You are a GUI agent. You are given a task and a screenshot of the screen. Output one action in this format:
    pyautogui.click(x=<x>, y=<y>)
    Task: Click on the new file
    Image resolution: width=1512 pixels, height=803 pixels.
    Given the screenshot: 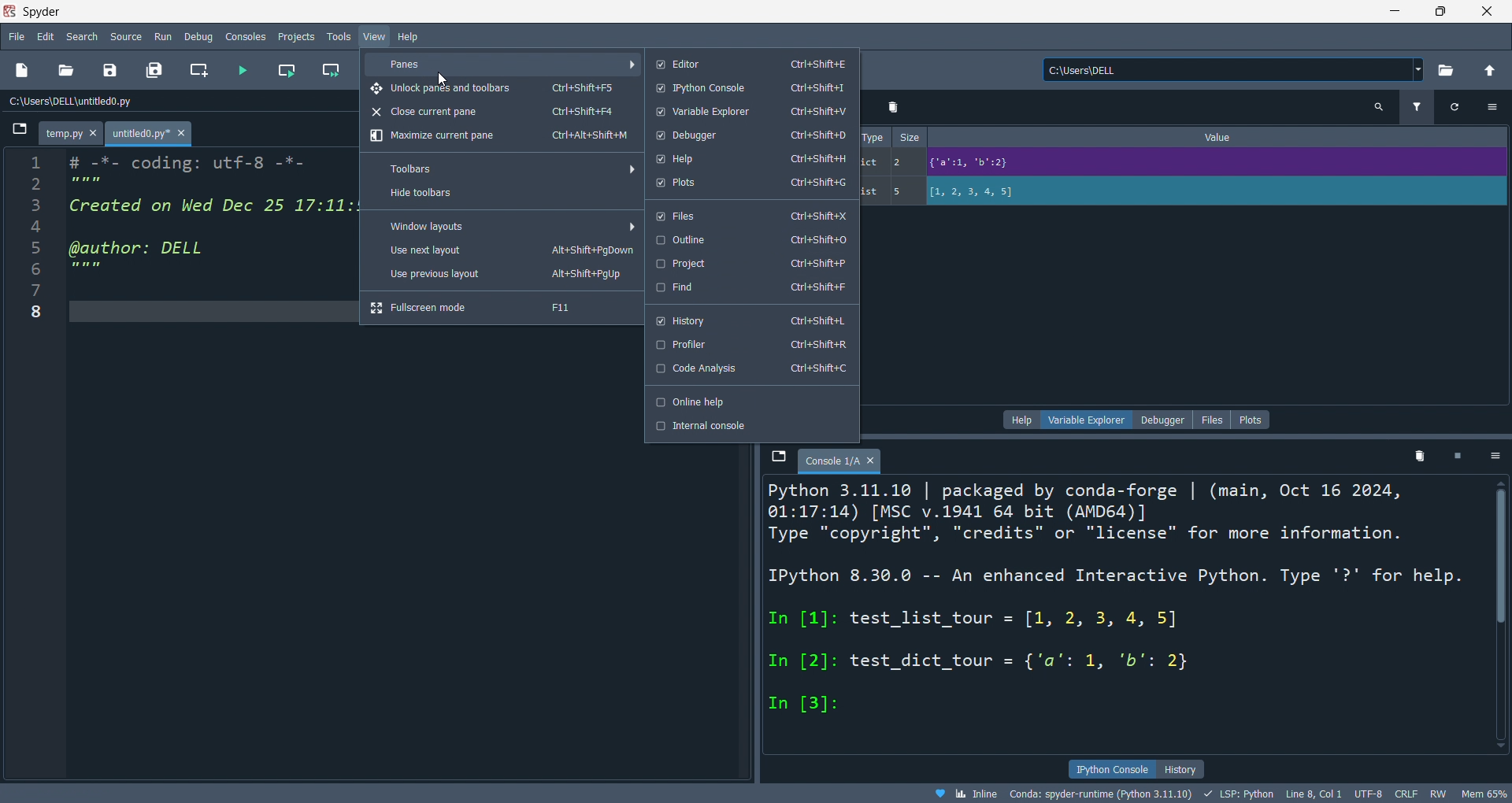 What is the action you would take?
    pyautogui.click(x=23, y=70)
    